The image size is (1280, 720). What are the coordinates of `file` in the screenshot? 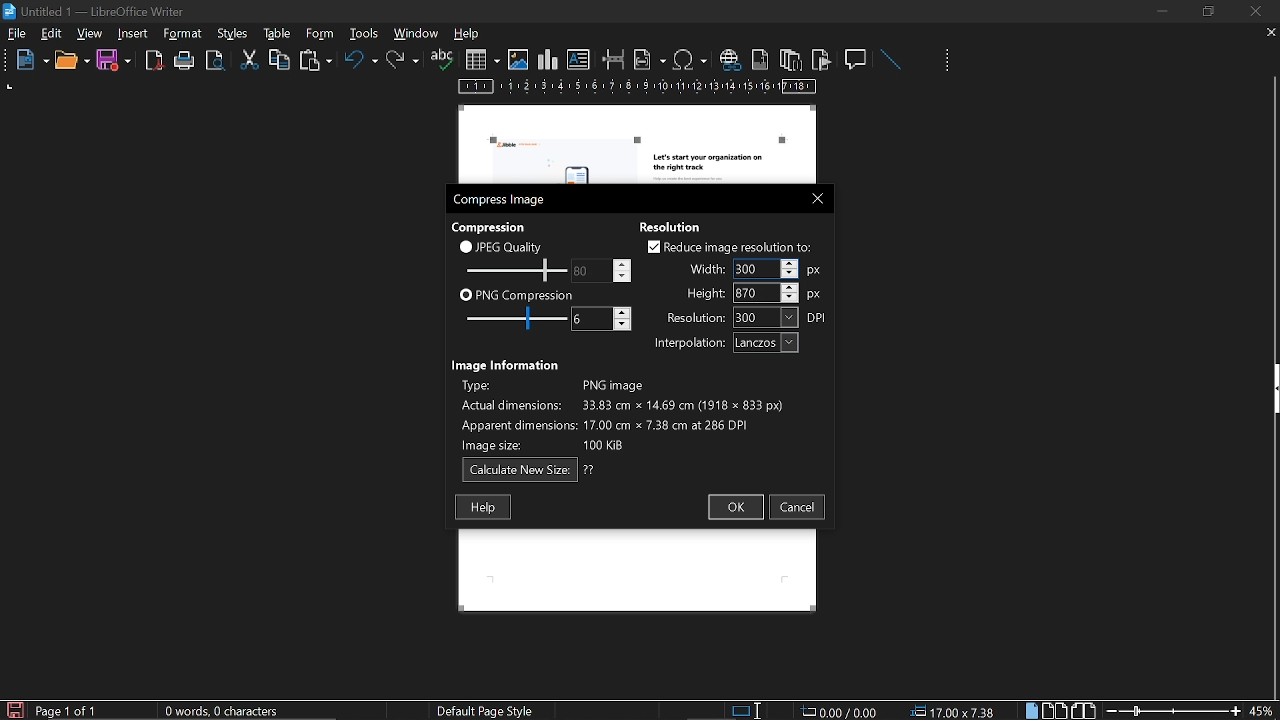 It's located at (17, 35).